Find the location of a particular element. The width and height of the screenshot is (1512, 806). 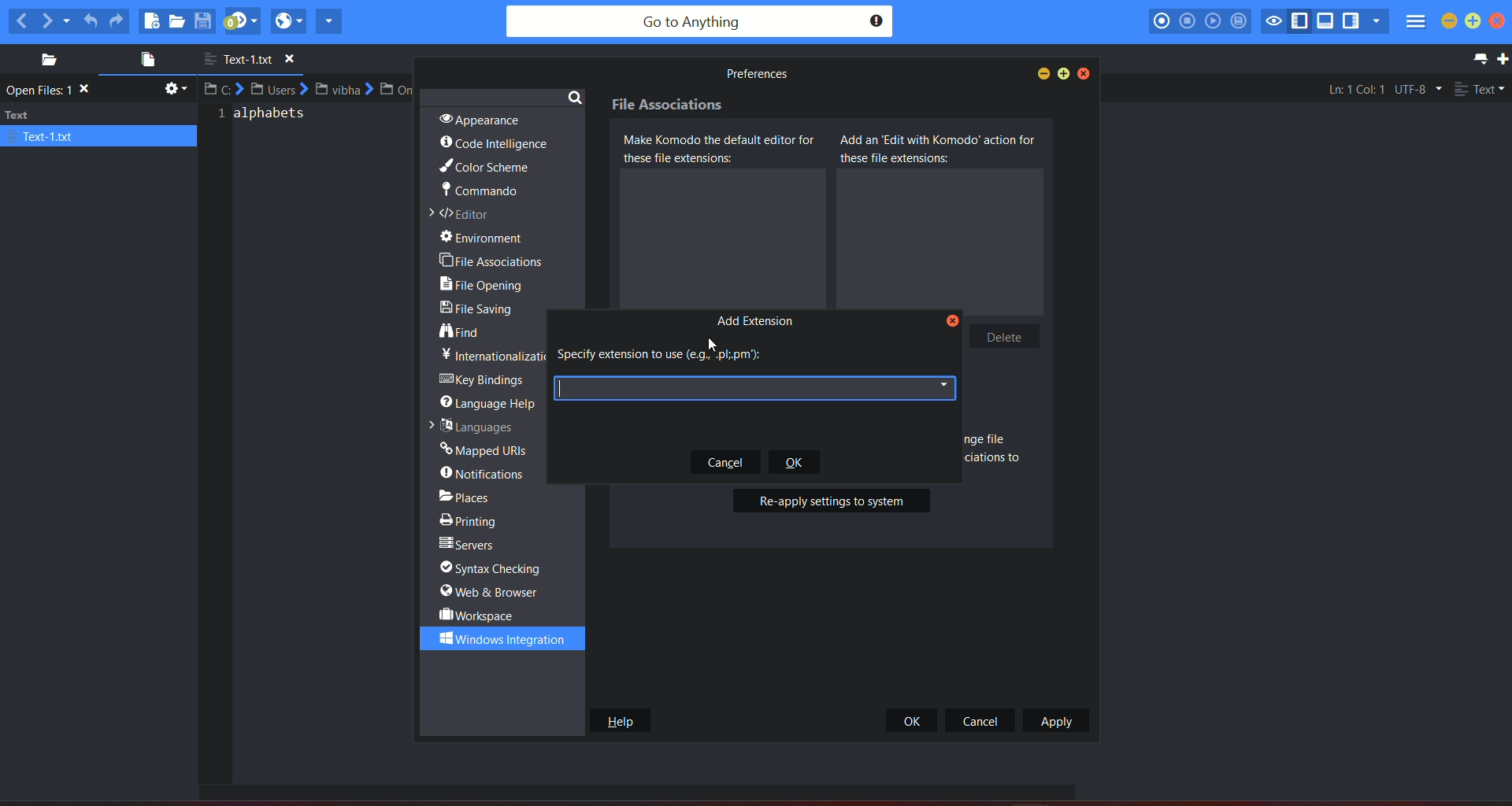

find is located at coordinates (462, 332).